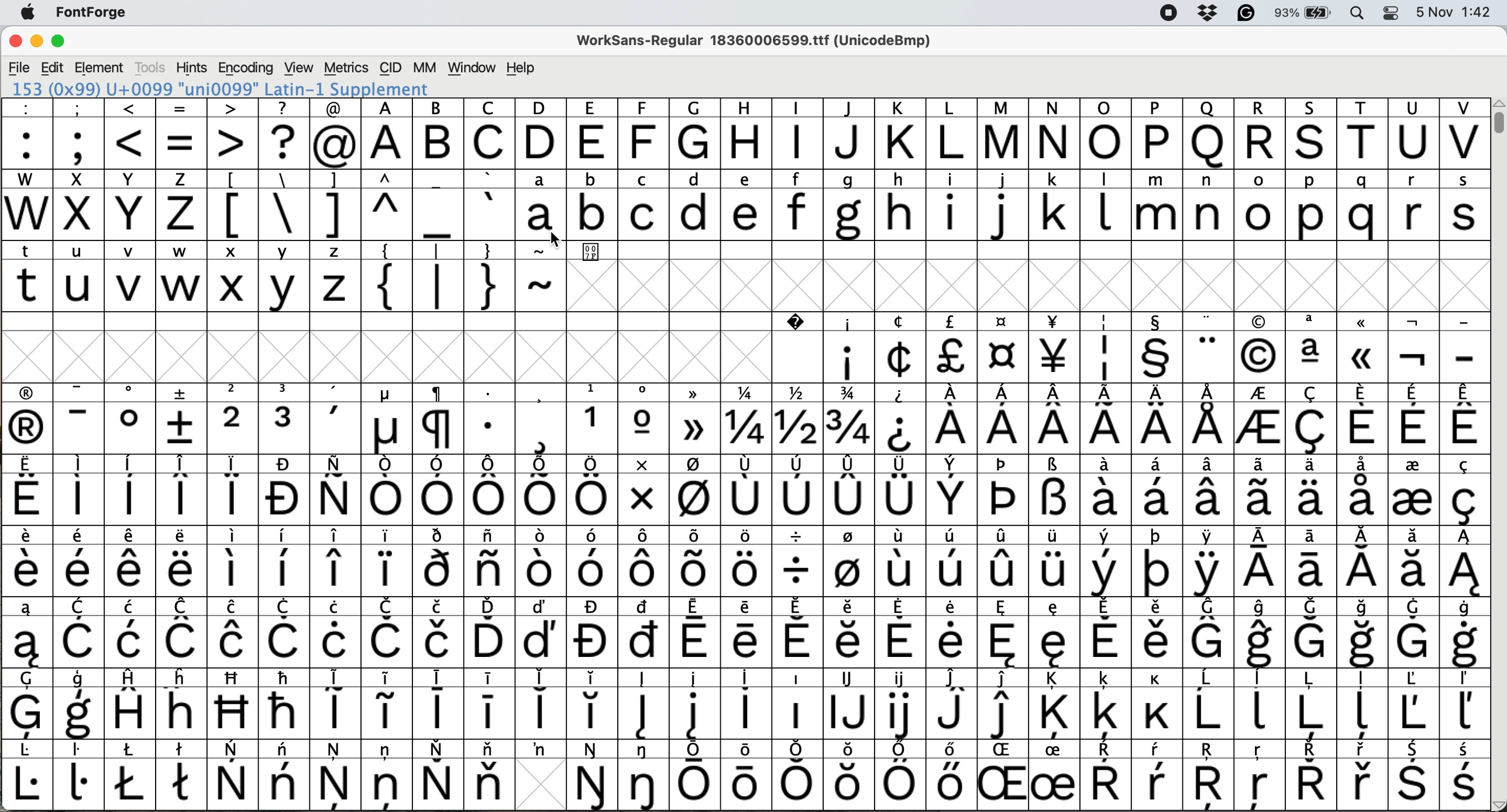 Image resolution: width=1507 pixels, height=812 pixels. What do you see at coordinates (234, 776) in the screenshot?
I see `symbol` at bounding box center [234, 776].